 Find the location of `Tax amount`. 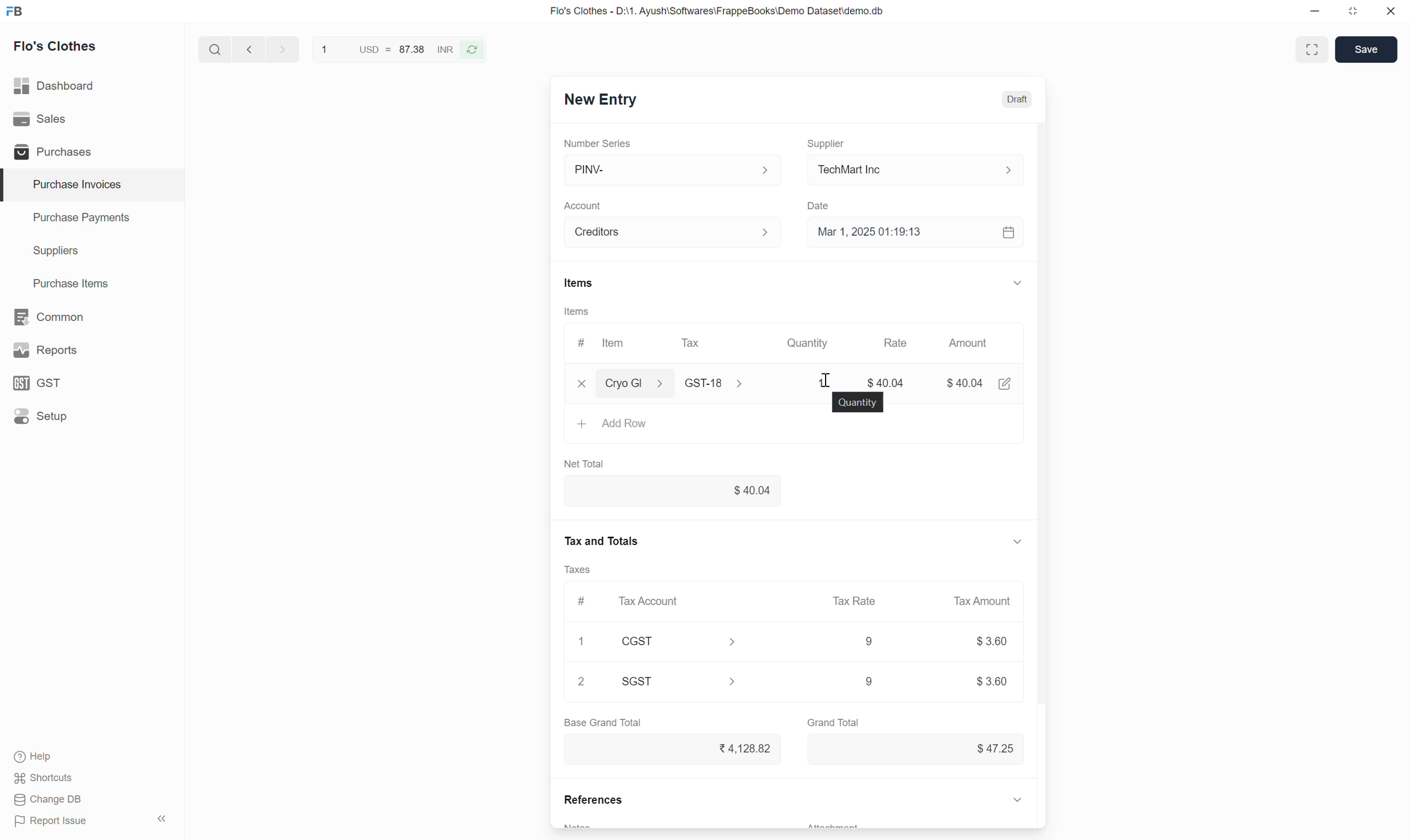

Tax amount is located at coordinates (977, 601).